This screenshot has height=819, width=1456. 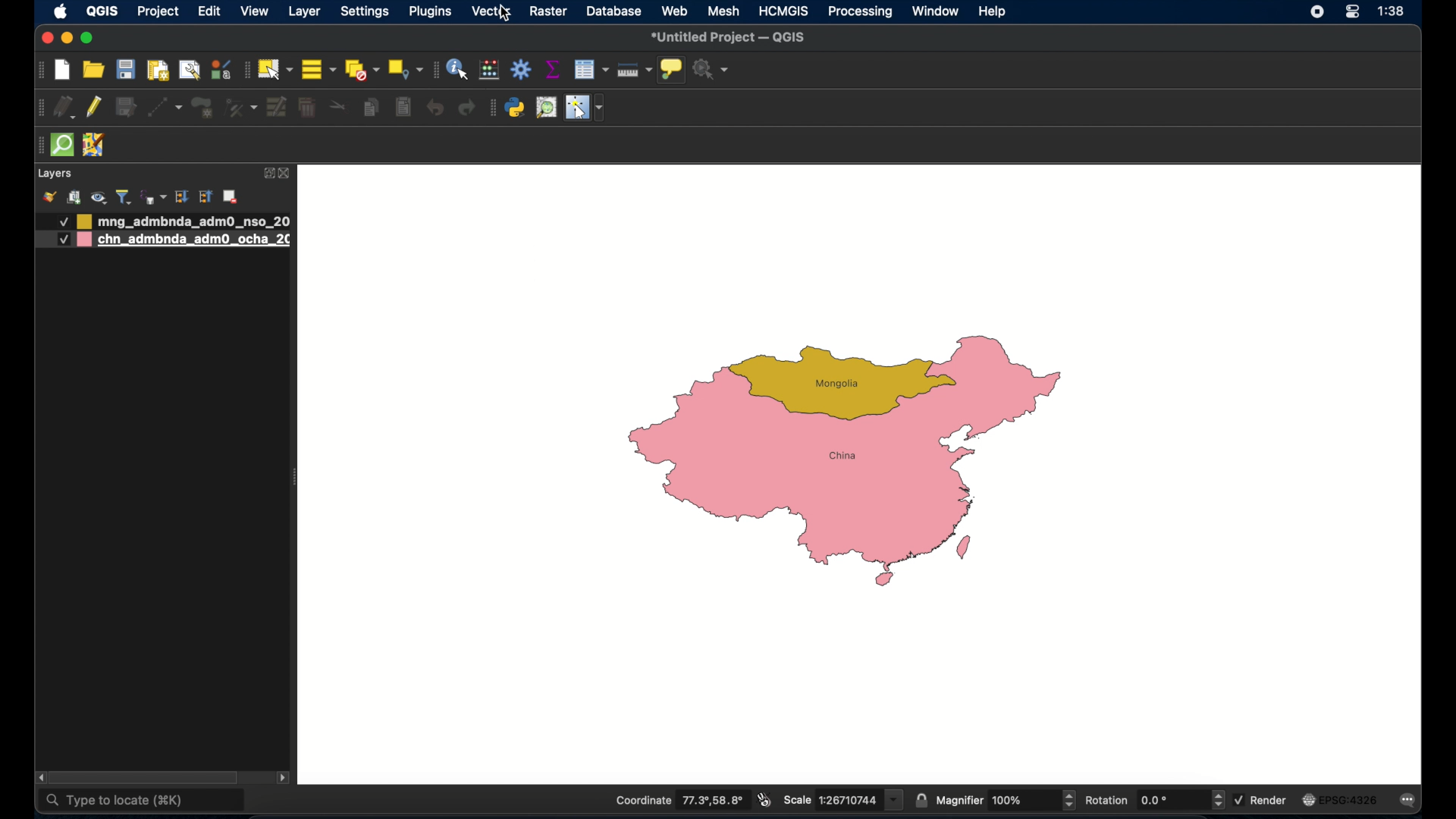 I want to click on apple icon, so click(x=60, y=11).